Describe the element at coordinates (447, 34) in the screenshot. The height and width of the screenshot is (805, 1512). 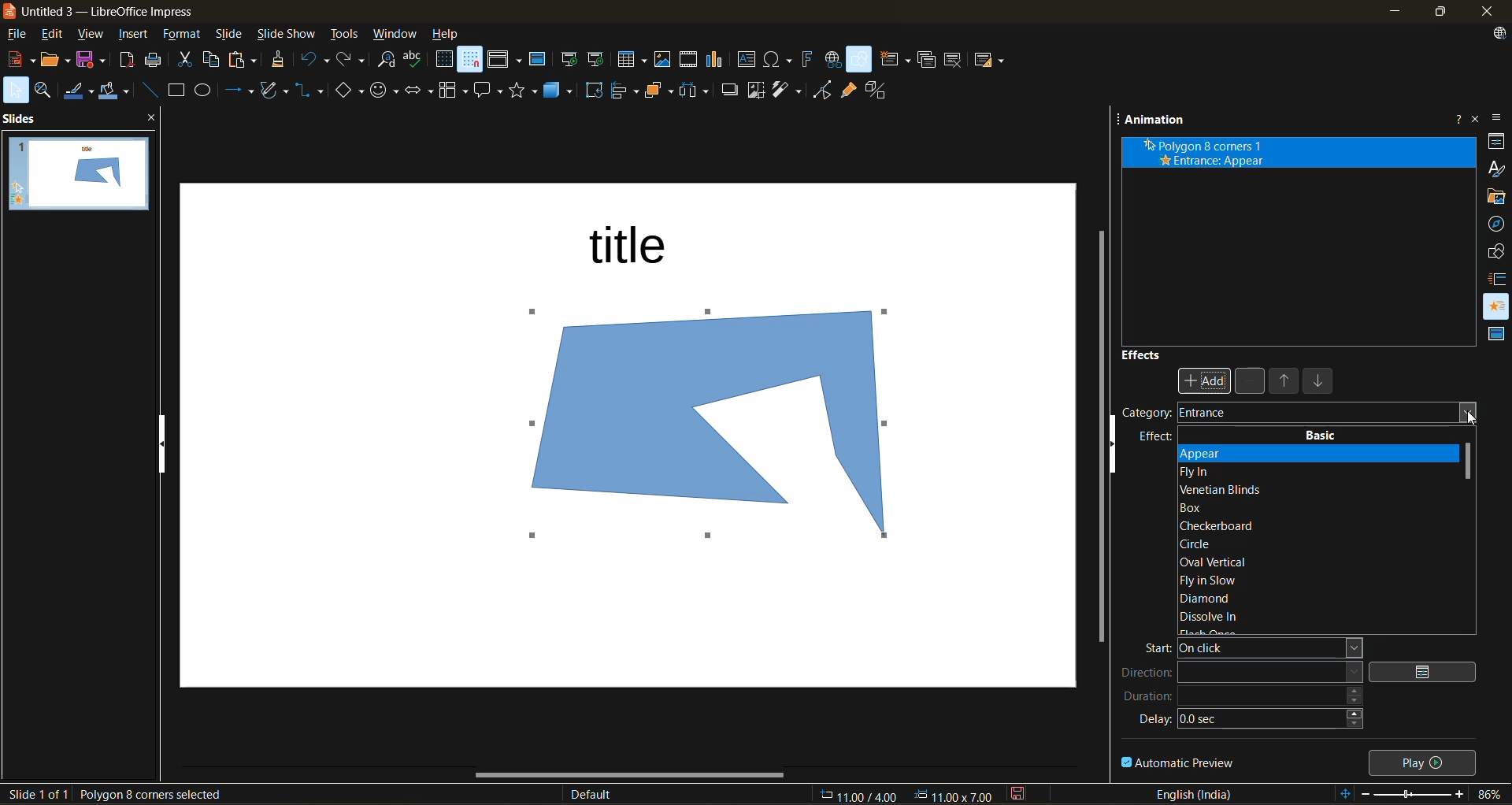
I see `help` at that location.